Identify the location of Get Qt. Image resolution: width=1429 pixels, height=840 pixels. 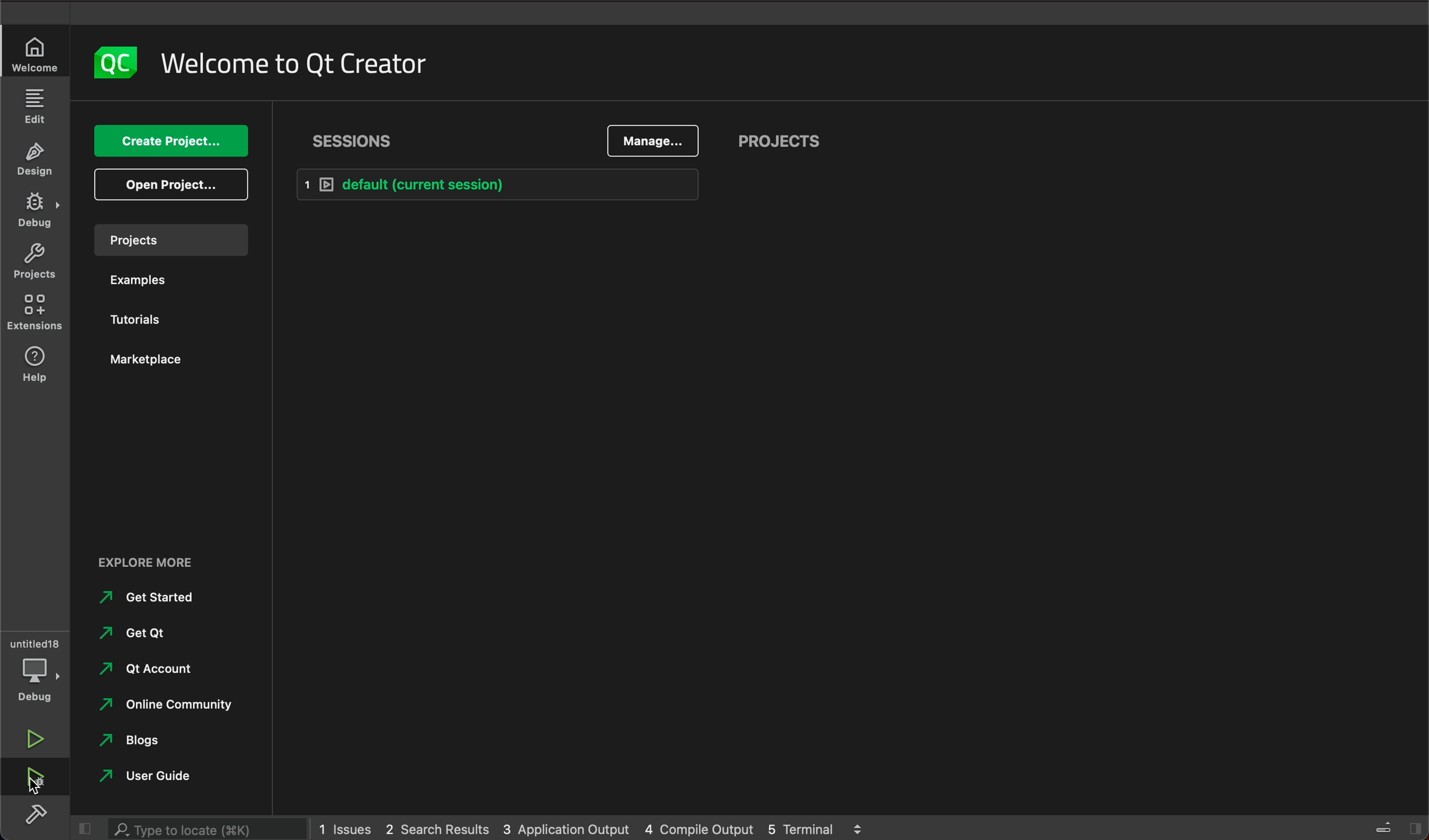
(137, 636).